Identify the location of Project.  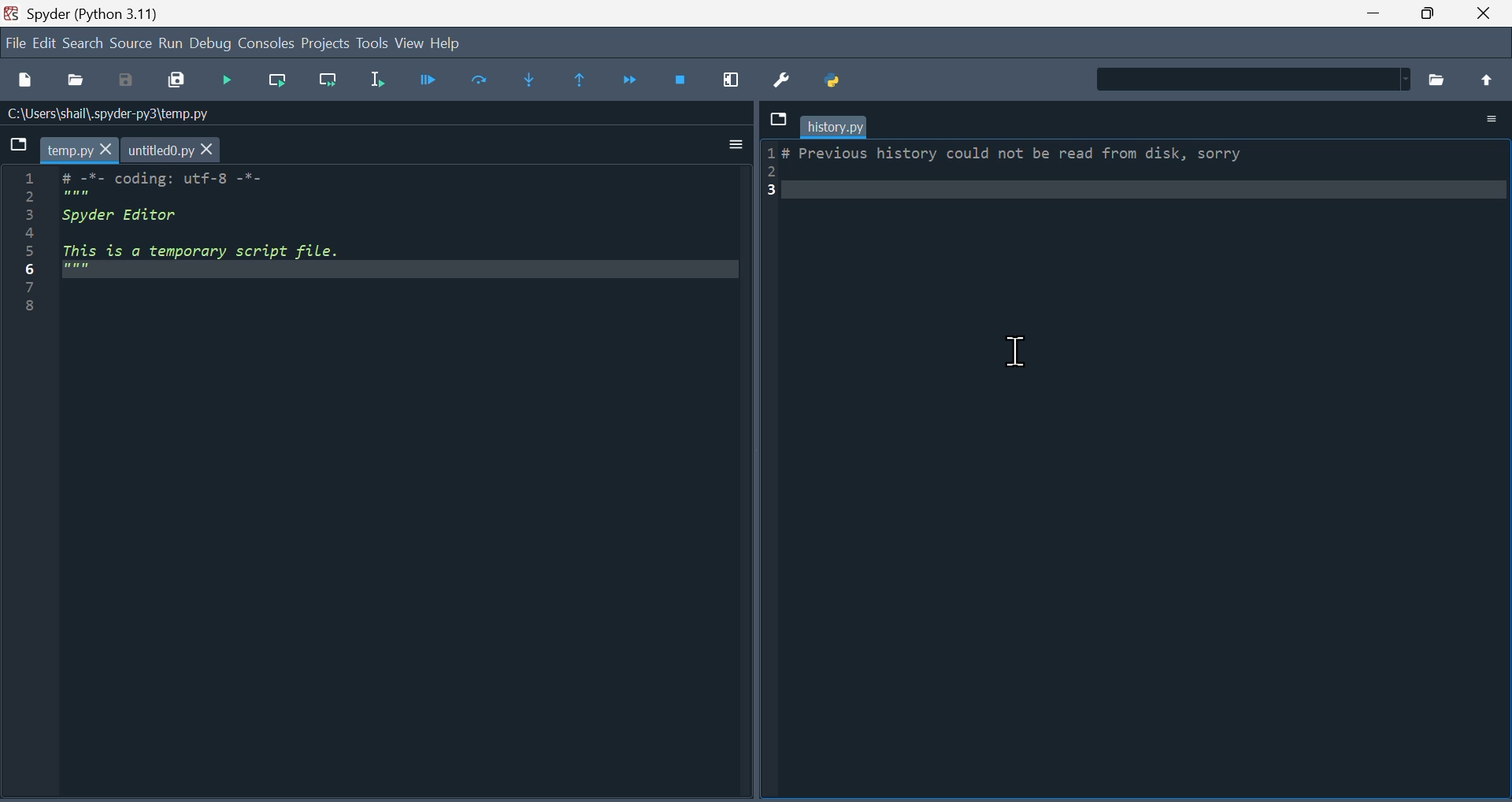
(326, 42).